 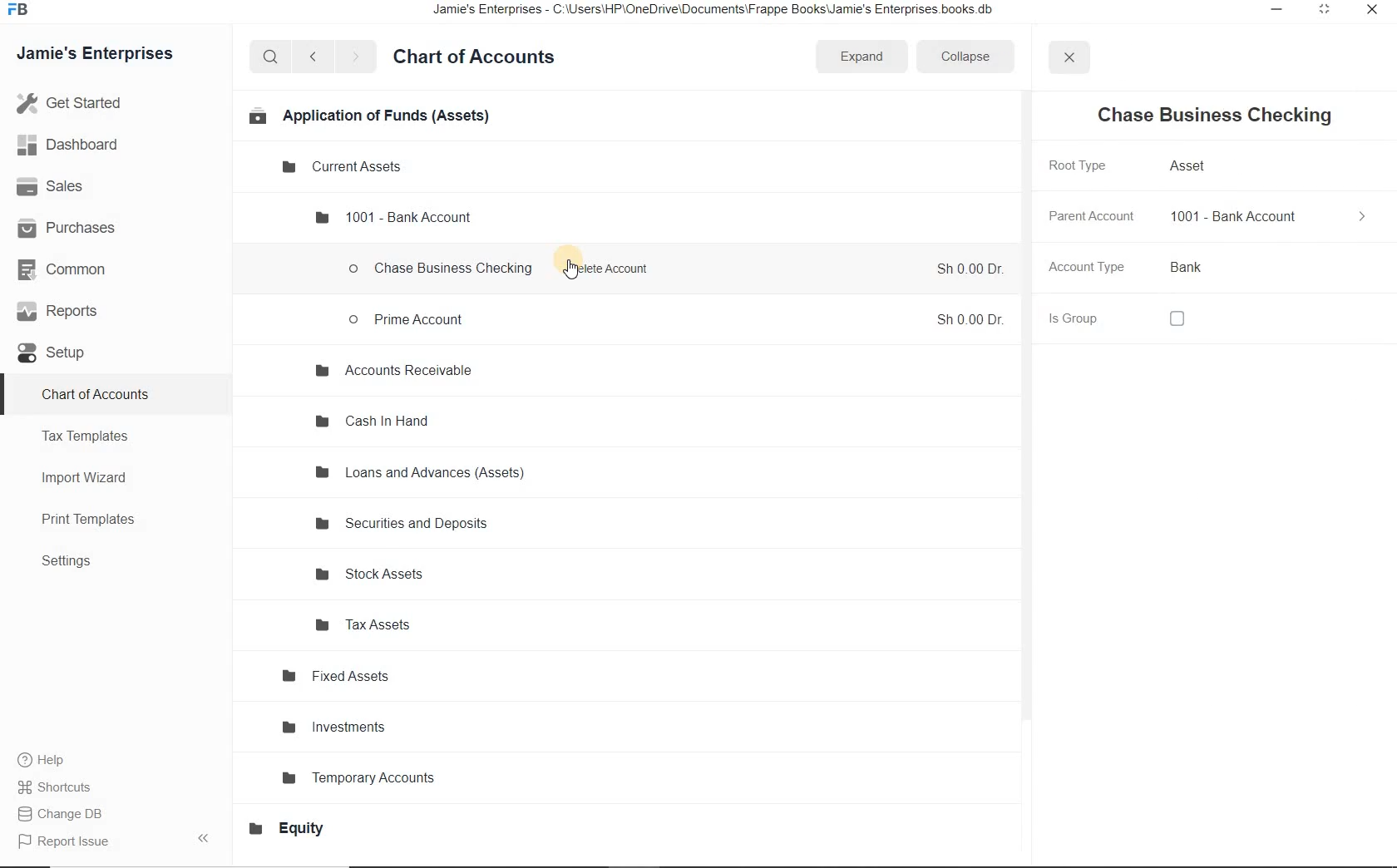 What do you see at coordinates (375, 422) in the screenshot?
I see `Cash In Hand` at bounding box center [375, 422].